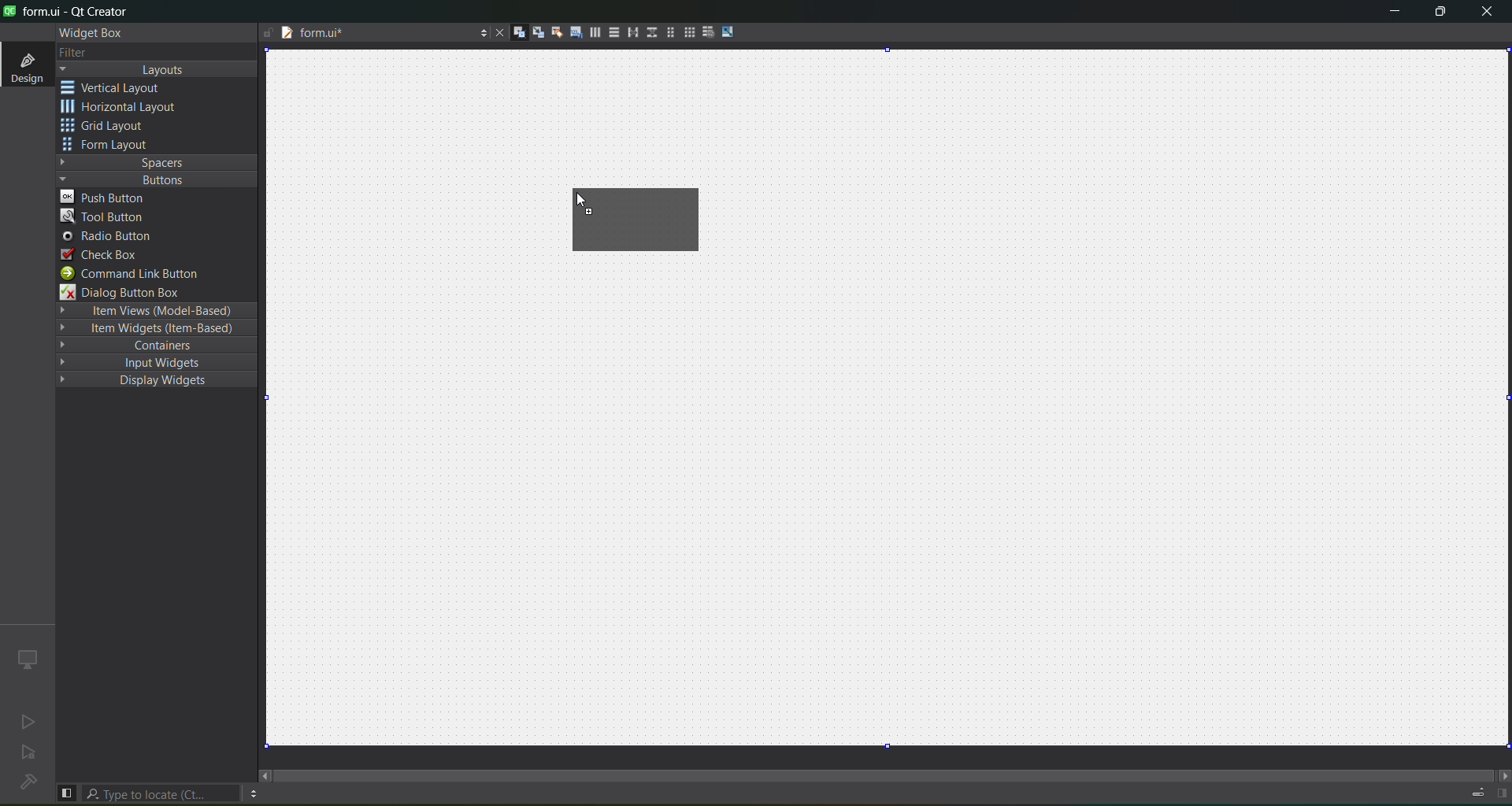 The width and height of the screenshot is (1512, 806). What do you see at coordinates (578, 202) in the screenshot?
I see `cursor` at bounding box center [578, 202].